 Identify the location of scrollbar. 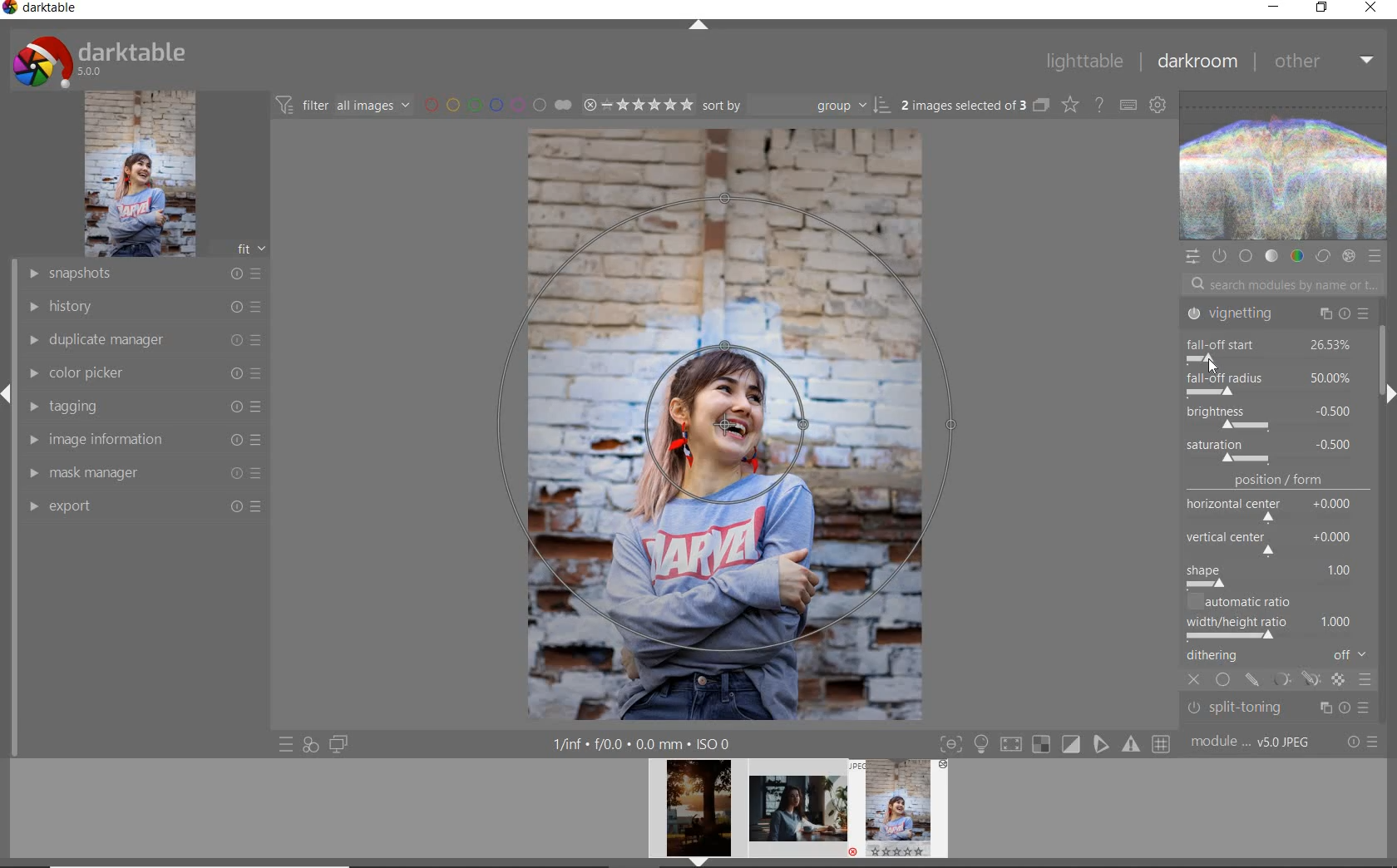
(1388, 353).